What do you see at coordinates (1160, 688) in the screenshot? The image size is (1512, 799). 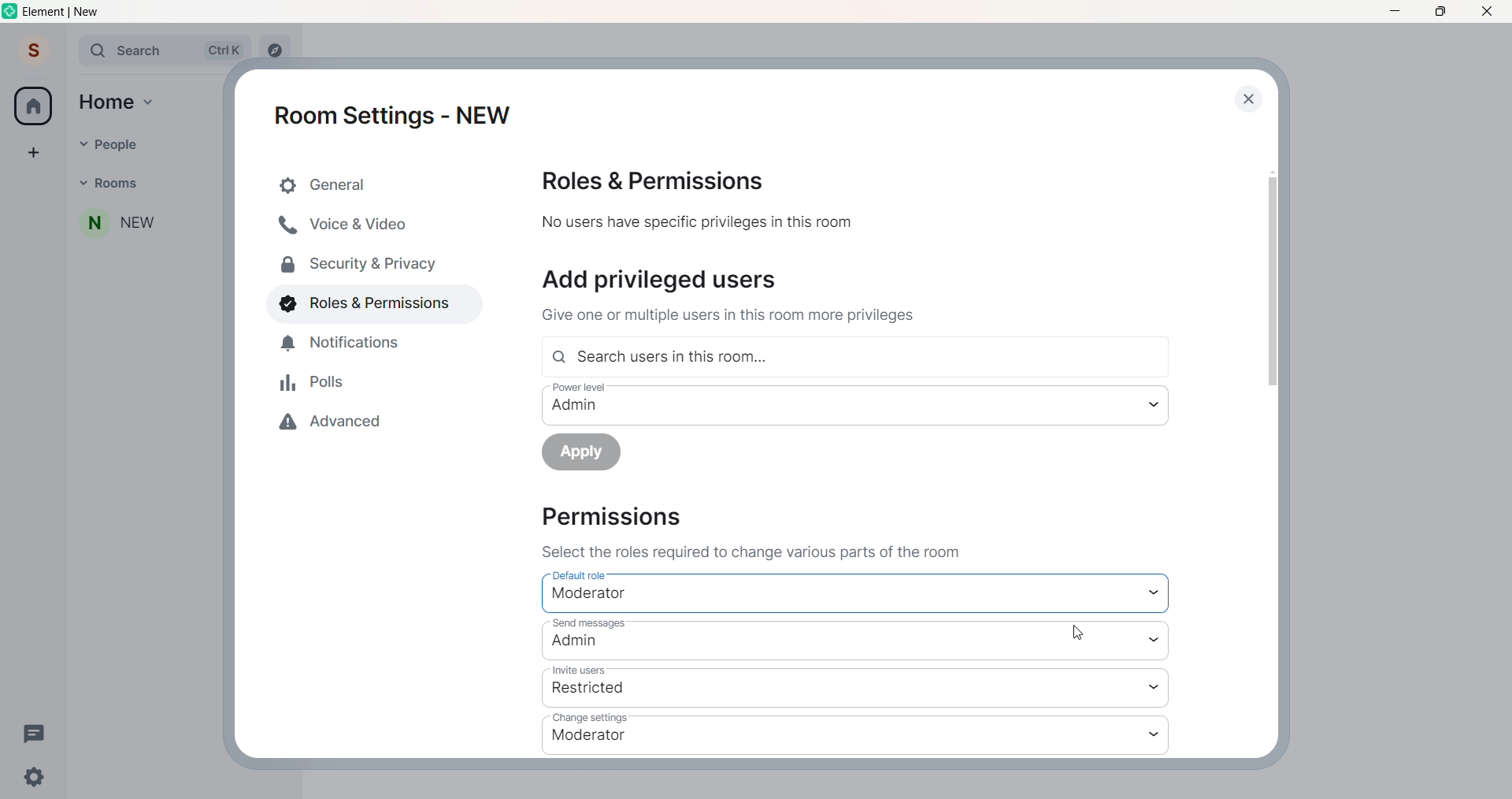 I see `invite users dropdown` at bounding box center [1160, 688].